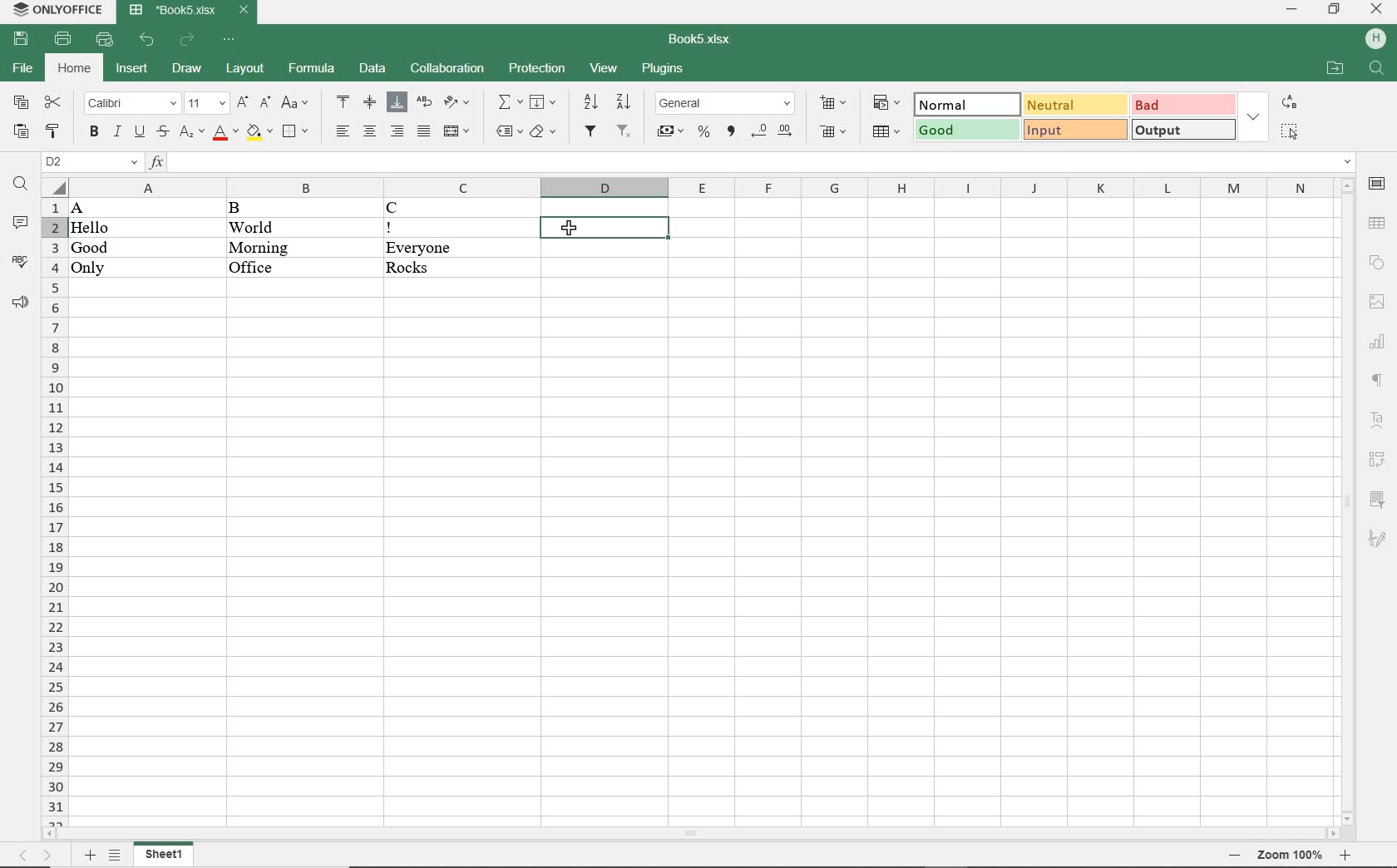 This screenshot has width=1397, height=868. What do you see at coordinates (1376, 184) in the screenshot?
I see `CELL SETTINGS` at bounding box center [1376, 184].